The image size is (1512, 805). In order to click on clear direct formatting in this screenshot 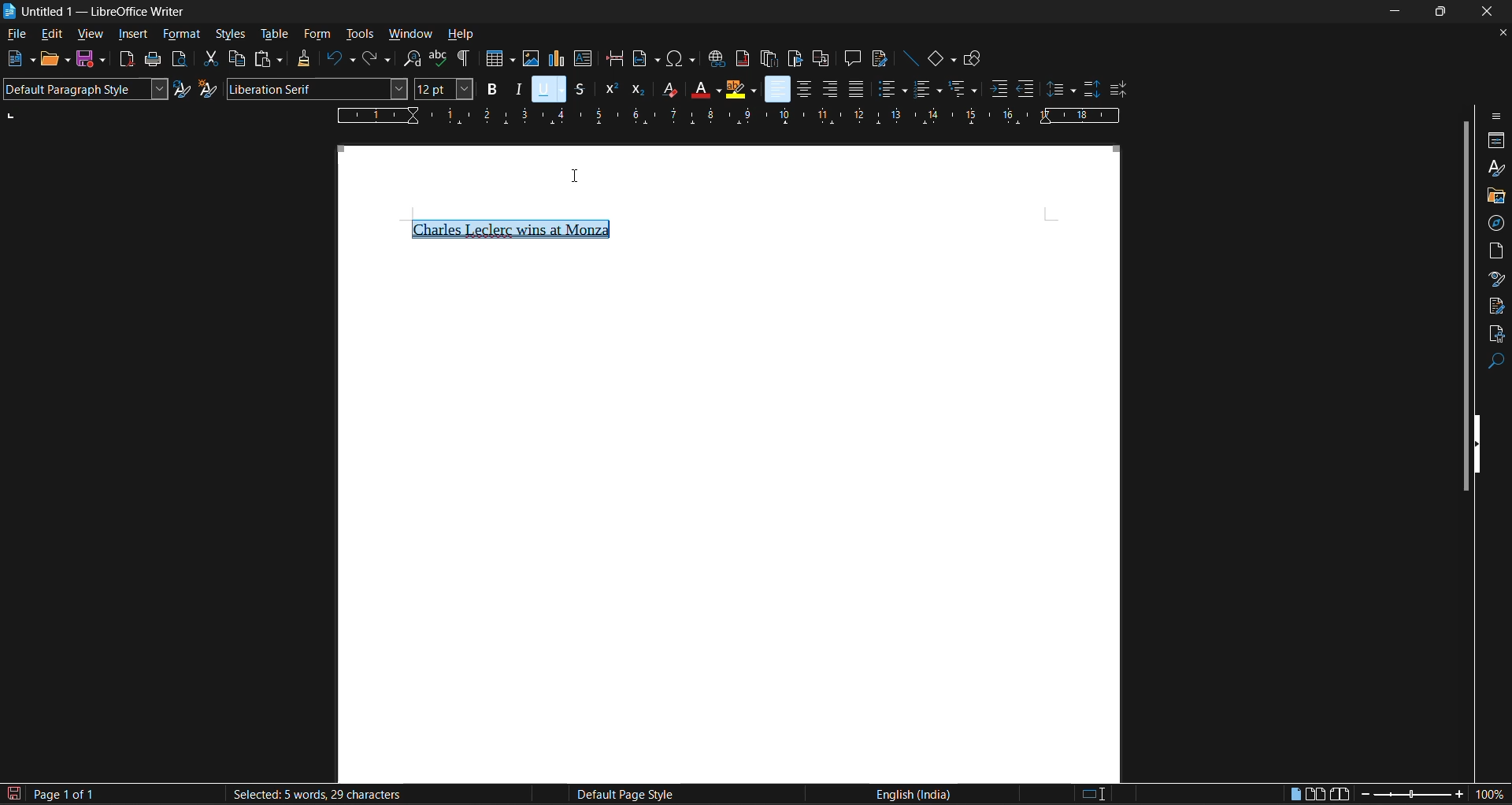, I will do `click(666, 88)`.